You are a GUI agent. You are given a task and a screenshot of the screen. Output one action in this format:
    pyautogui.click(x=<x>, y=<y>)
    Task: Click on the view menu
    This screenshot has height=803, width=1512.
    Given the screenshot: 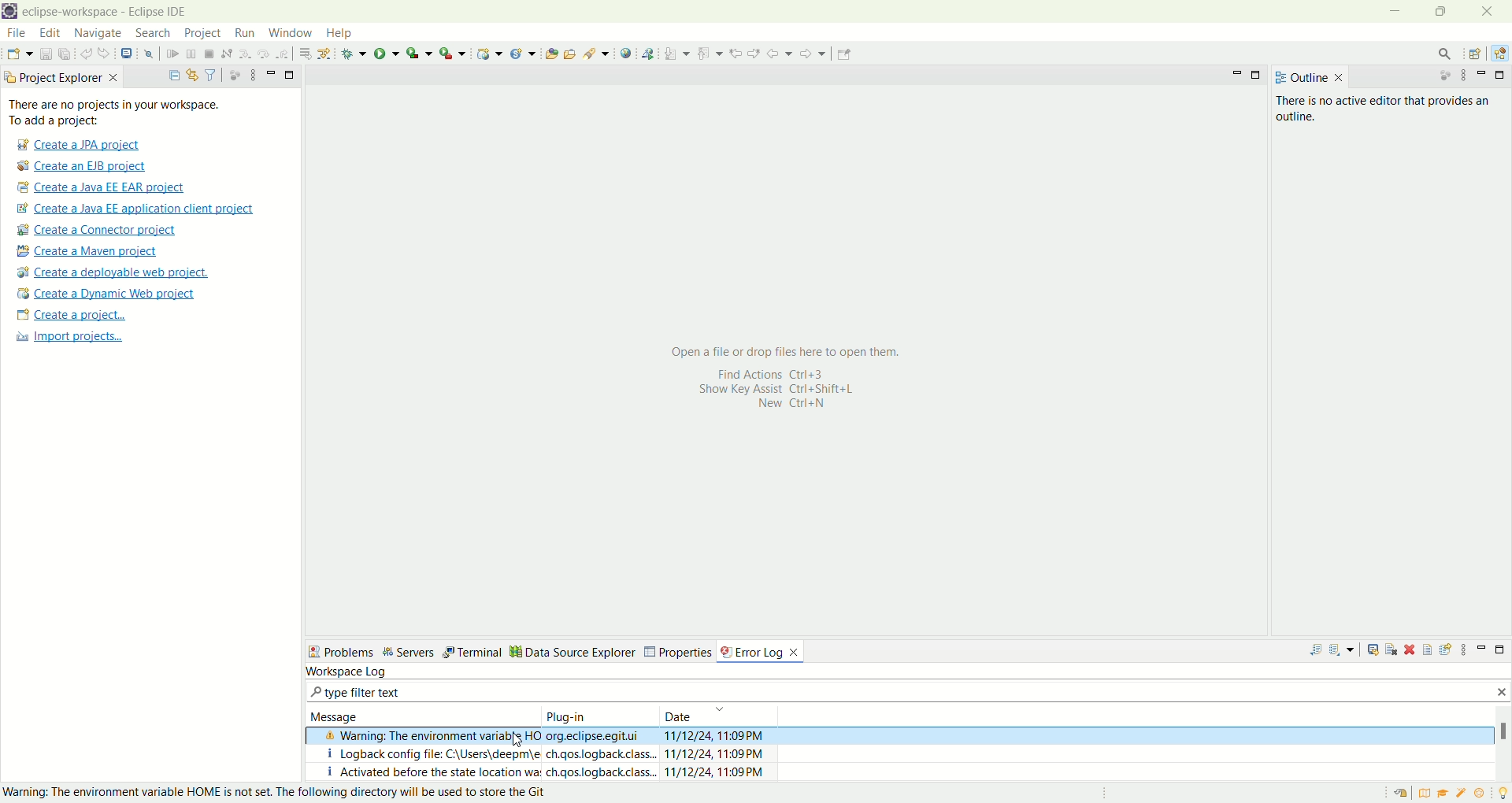 What is the action you would take?
    pyautogui.click(x=250, y=75)
    